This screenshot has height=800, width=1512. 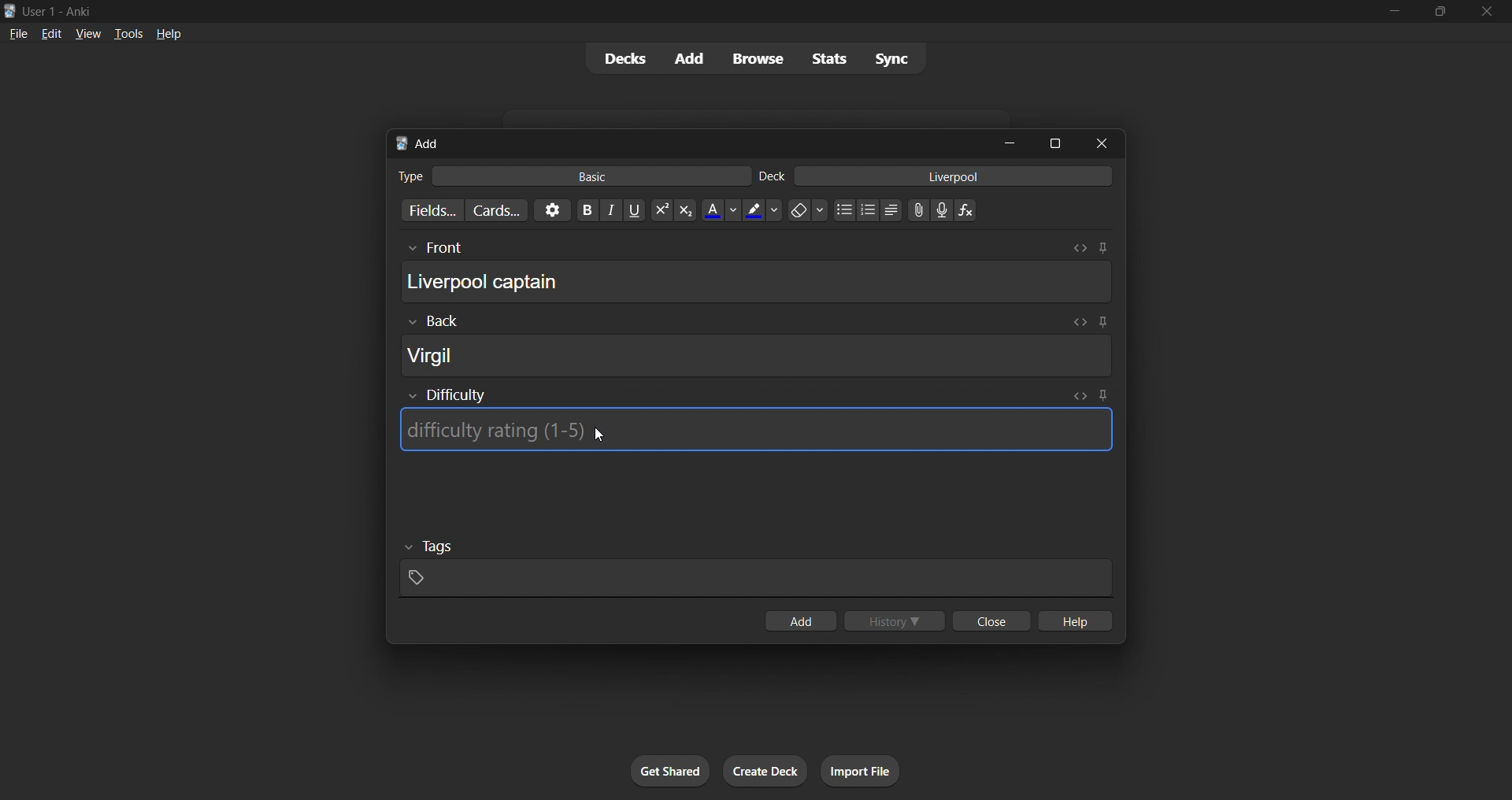 What do you see at coordinates (757, 355) in the screenshot?
I see `card back field input box` at bounding box center [757, 355].